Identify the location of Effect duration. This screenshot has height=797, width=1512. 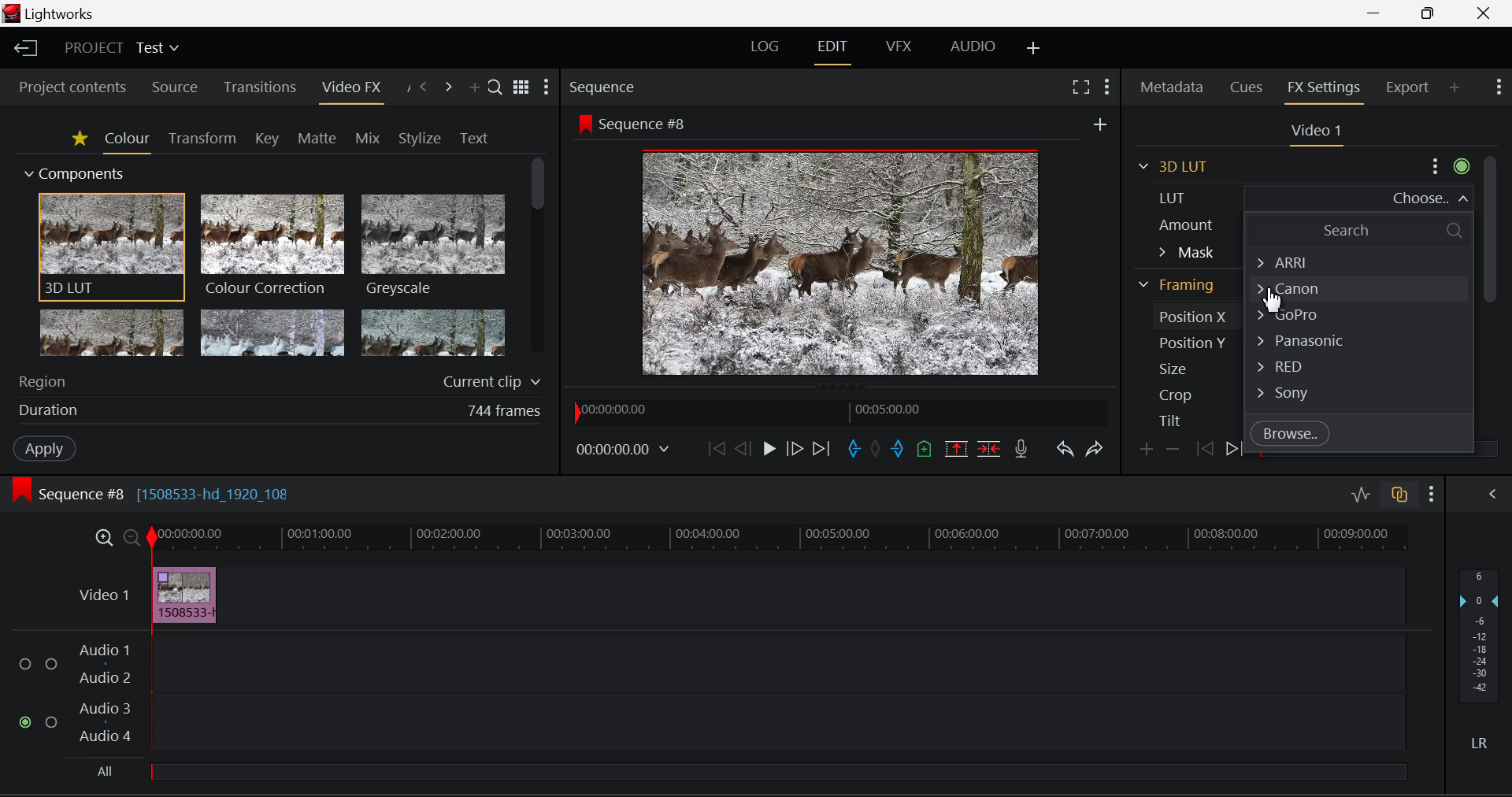
(277, 410).